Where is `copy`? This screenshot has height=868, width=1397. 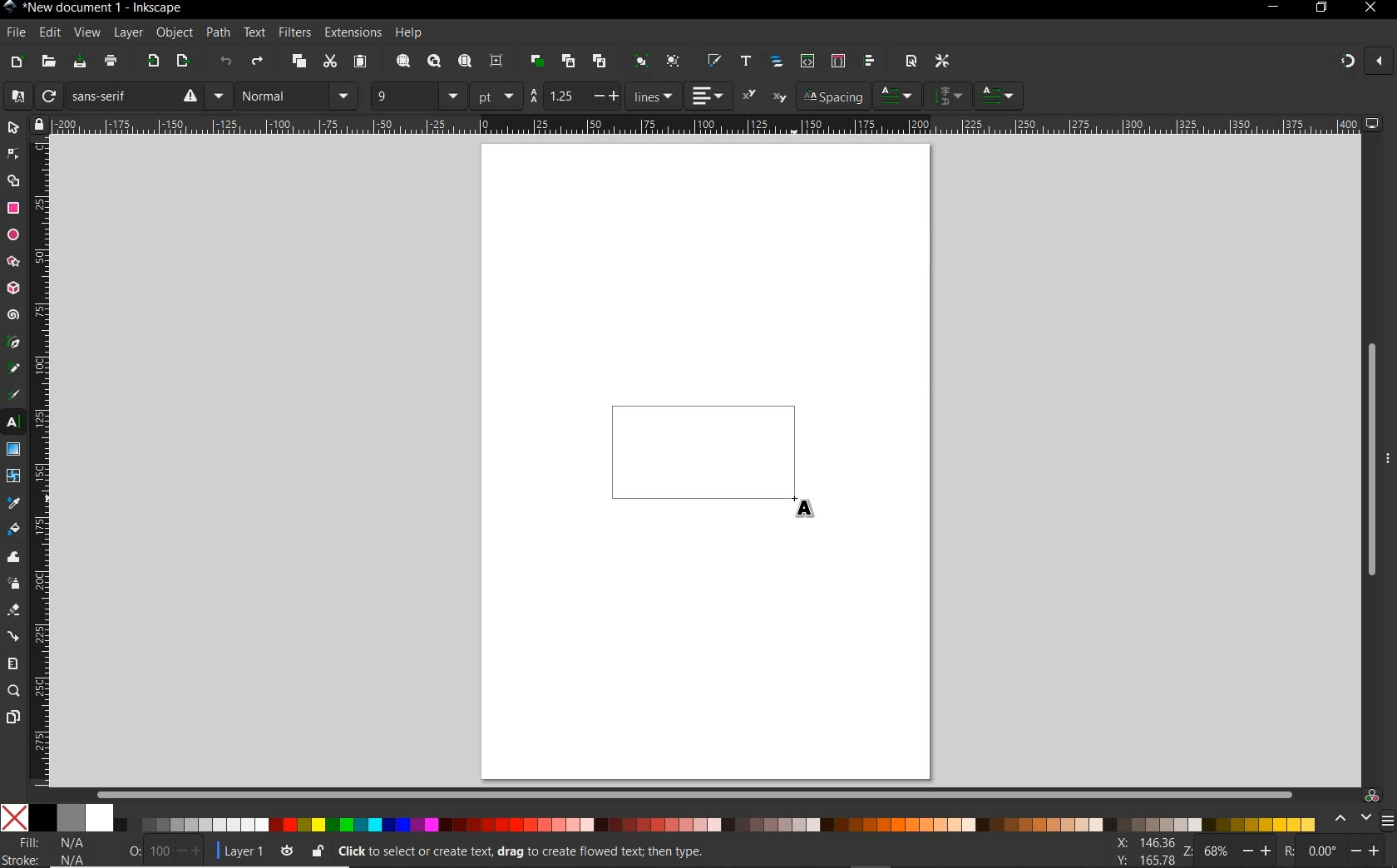
copy is located at coordinates (299, 62).